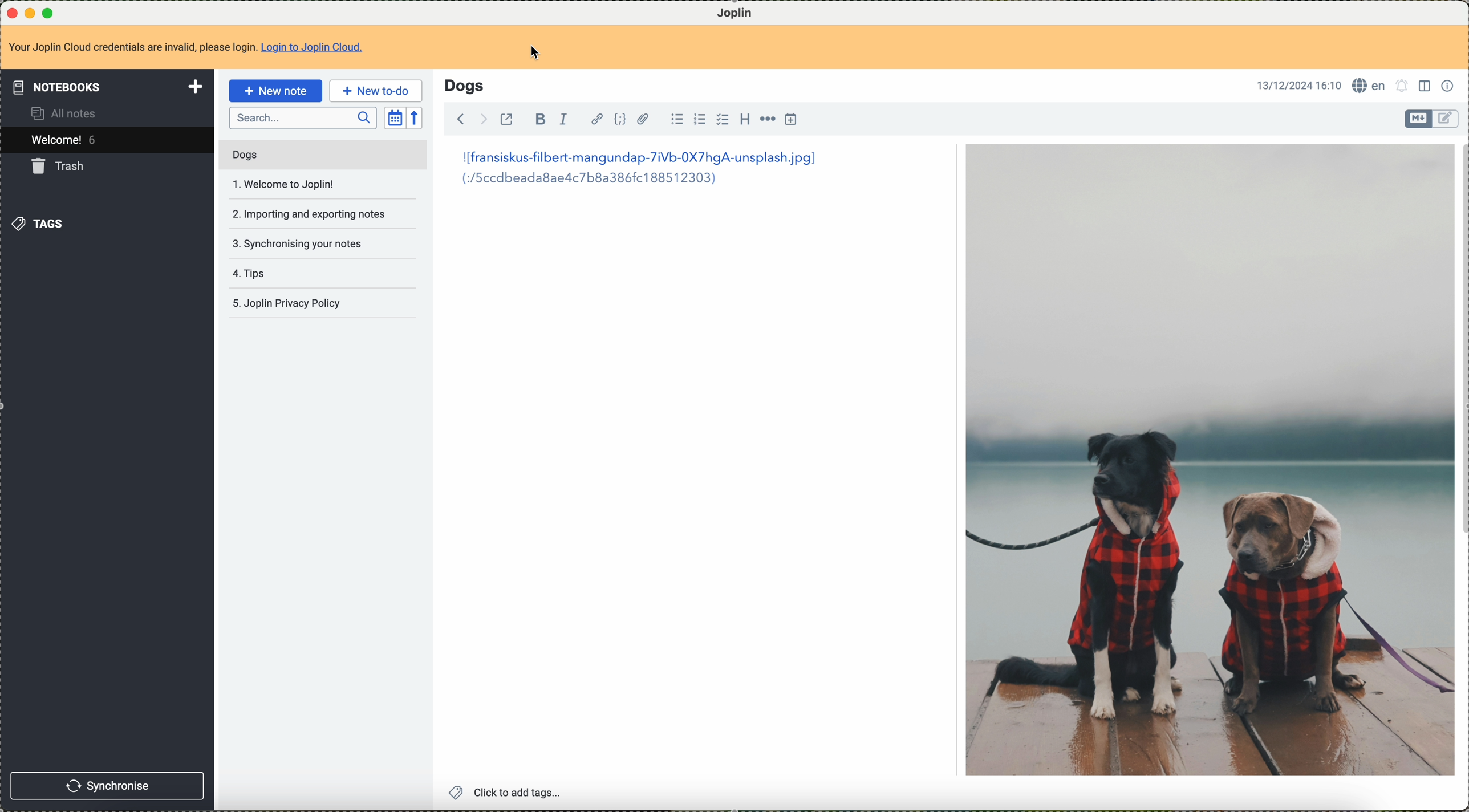 The width and height of the screenshot is (1469, 812). Describe the element at coordinates (107, 787) in the screenshot. I see `synchronise` at that location.